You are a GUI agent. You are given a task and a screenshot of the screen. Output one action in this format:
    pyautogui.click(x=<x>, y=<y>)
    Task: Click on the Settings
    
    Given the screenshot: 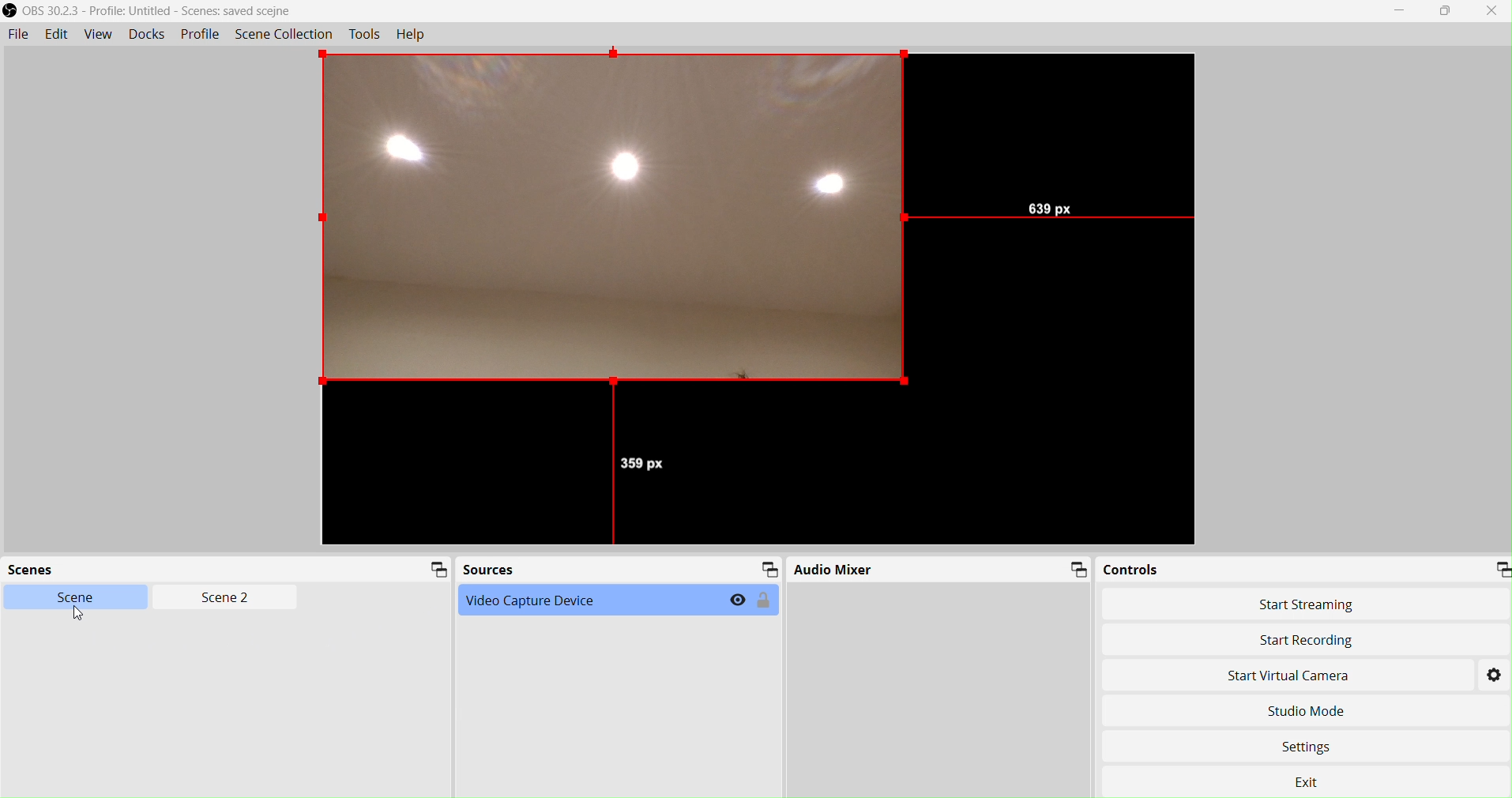 What is the action you would take?
    pyautogui.click(x=1310, y=749)
    